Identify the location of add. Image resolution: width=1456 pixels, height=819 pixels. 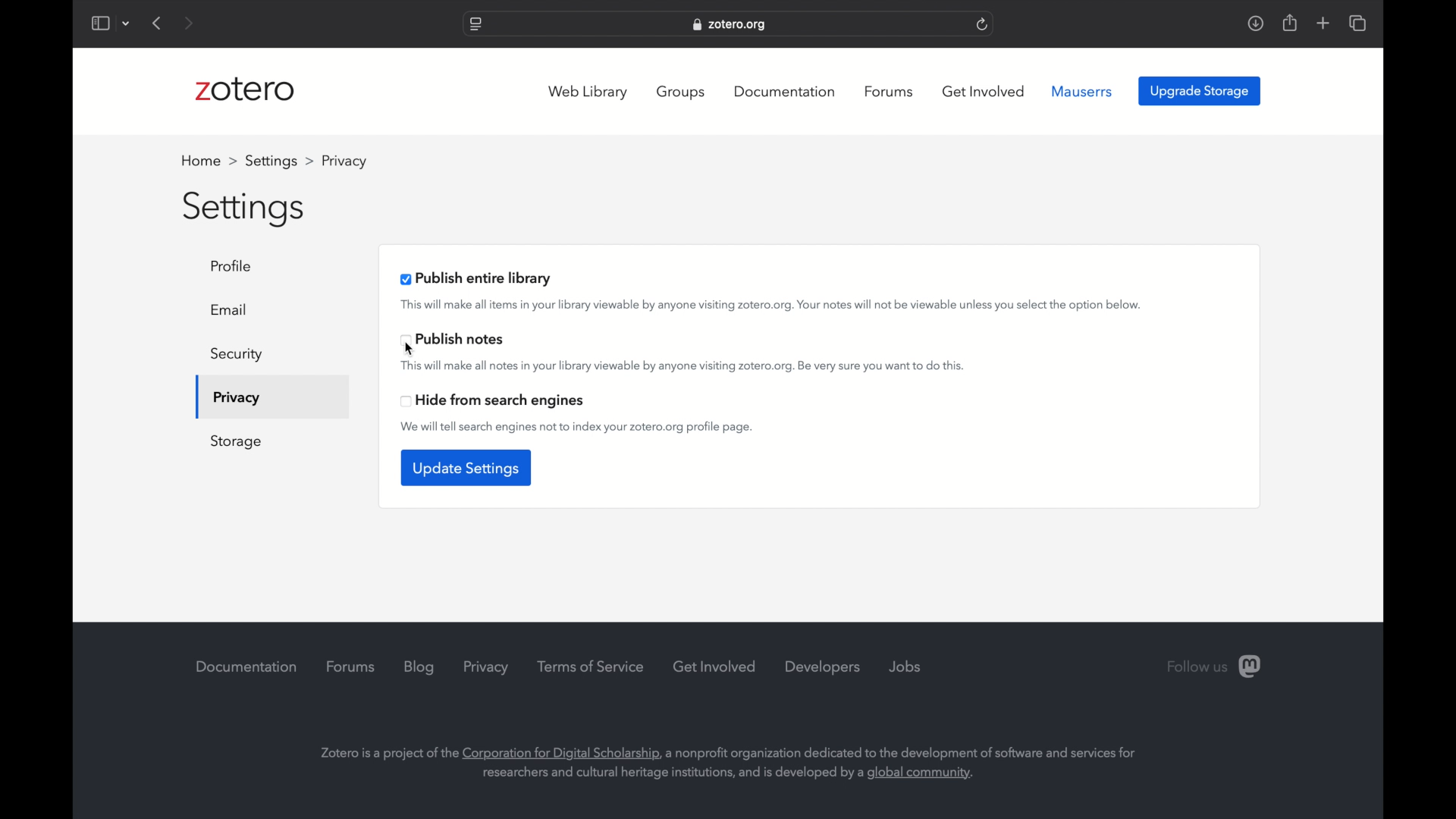
(1323, 23).